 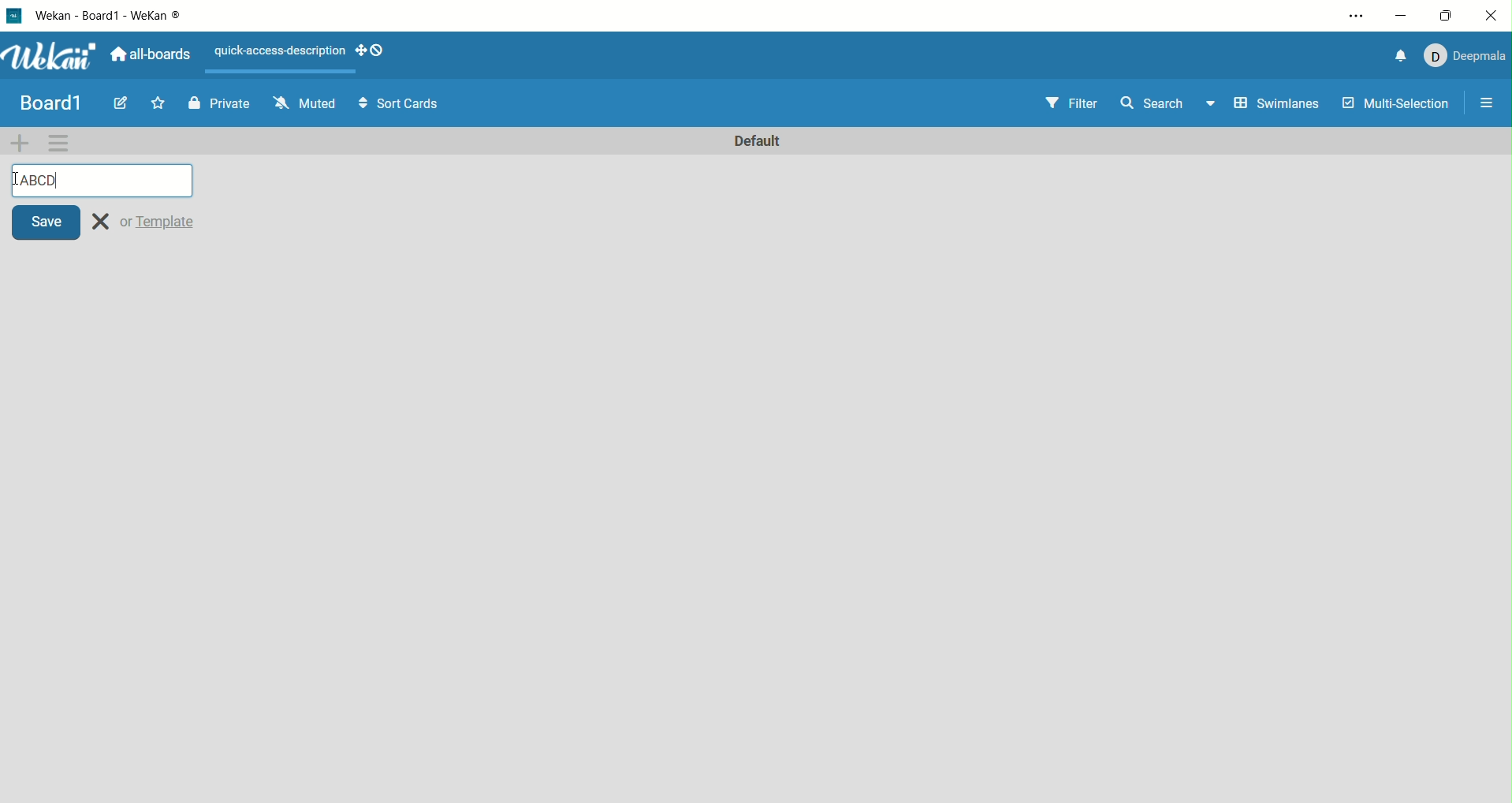 I want to click on maximize, so click(x=1451, y=13).